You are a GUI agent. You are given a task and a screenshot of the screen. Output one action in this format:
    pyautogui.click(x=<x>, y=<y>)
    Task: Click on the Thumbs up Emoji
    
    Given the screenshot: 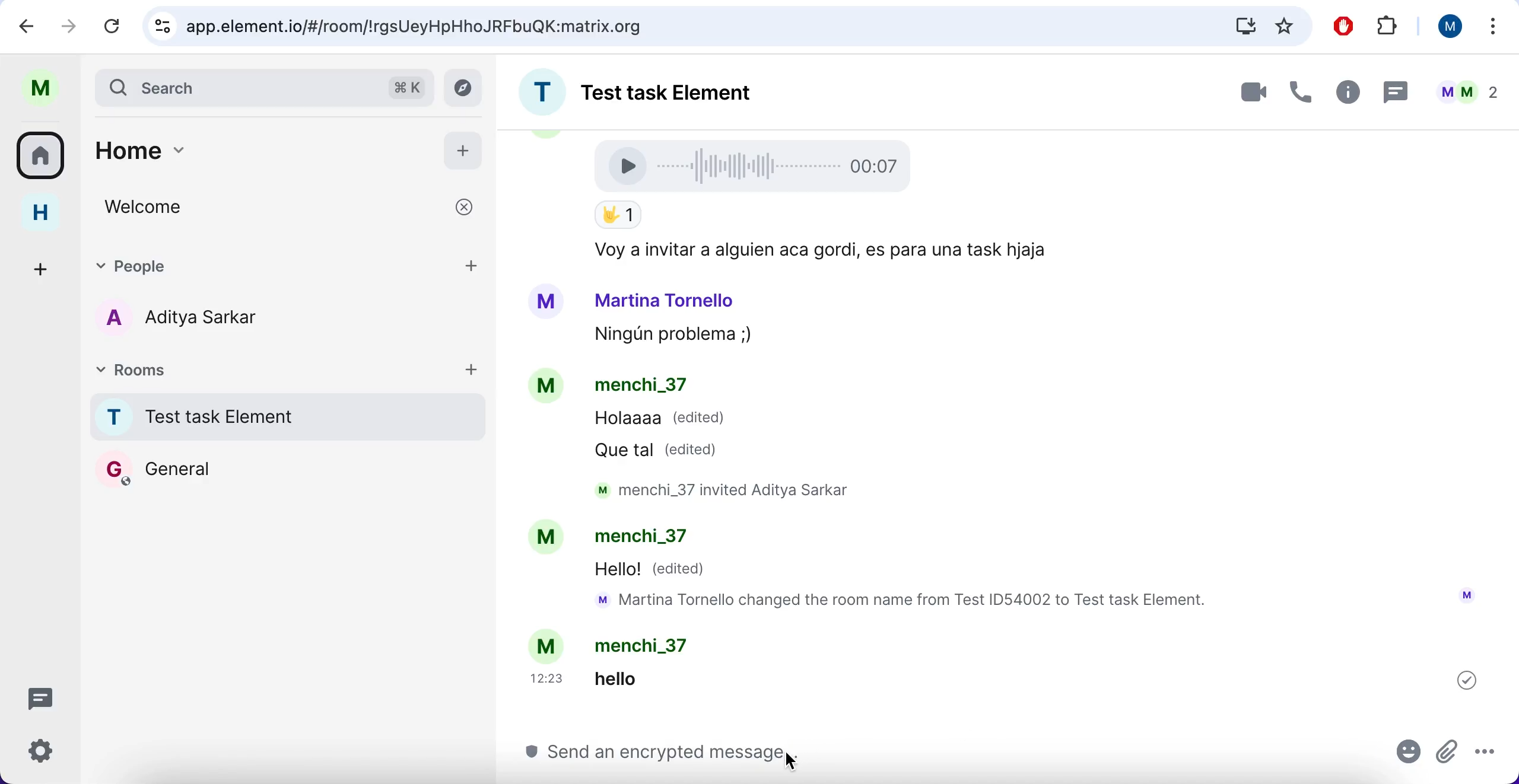 What is the action you would take?
    pyautogui.click(x=617, y=216)
    